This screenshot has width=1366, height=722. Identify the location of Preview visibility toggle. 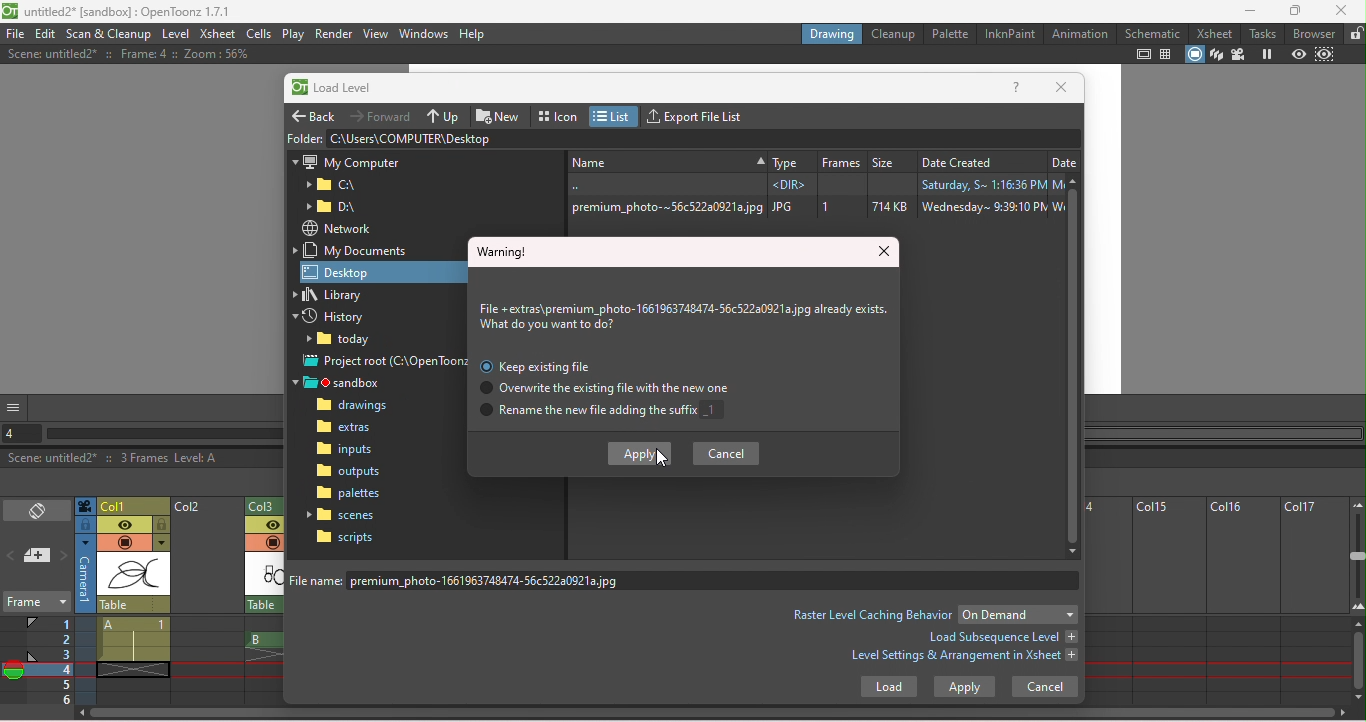
(124, 525).